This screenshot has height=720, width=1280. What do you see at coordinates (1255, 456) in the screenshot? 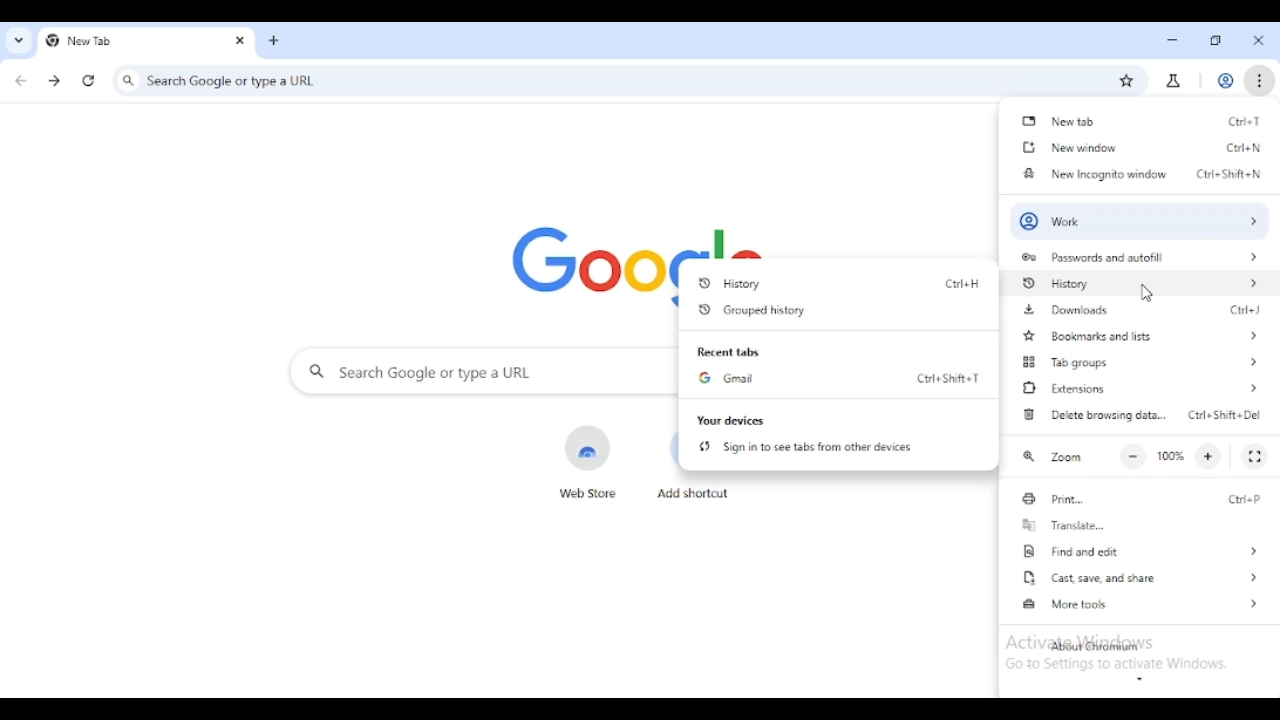
I see `full screen` at bounding box center [1255, 456].